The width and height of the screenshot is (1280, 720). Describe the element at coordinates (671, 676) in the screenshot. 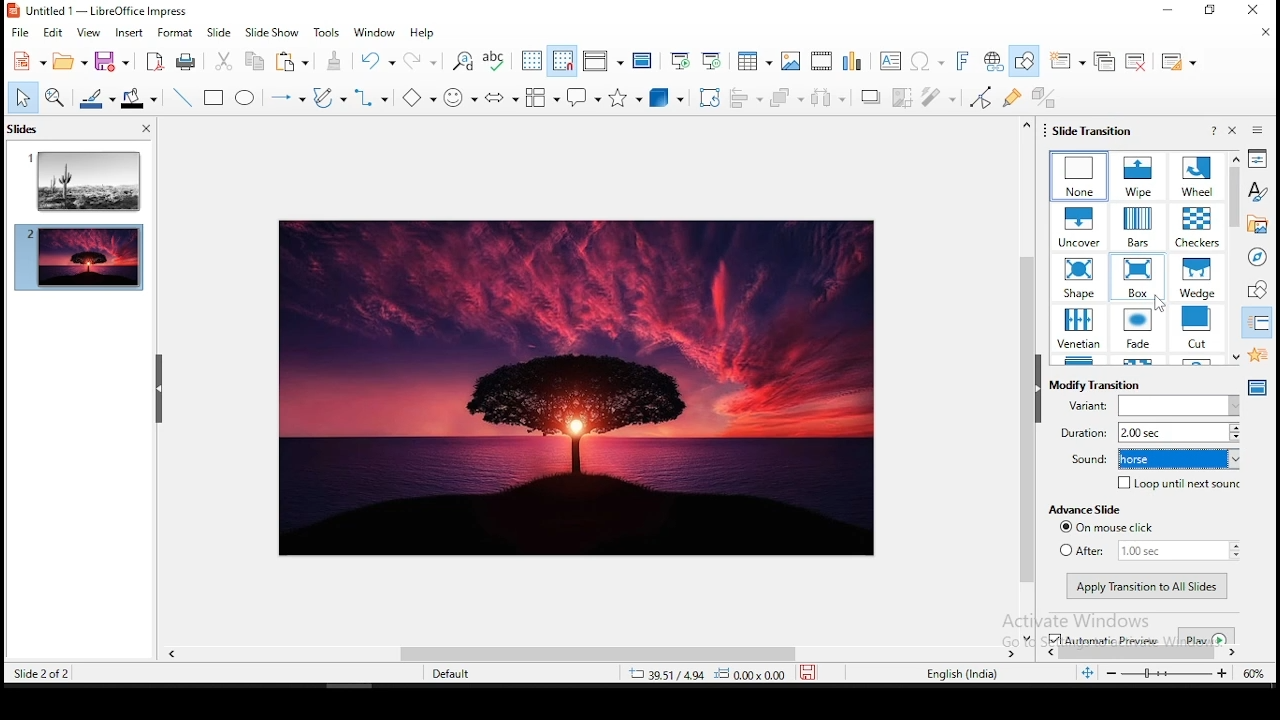

I see `39.51/4.94` at that location.